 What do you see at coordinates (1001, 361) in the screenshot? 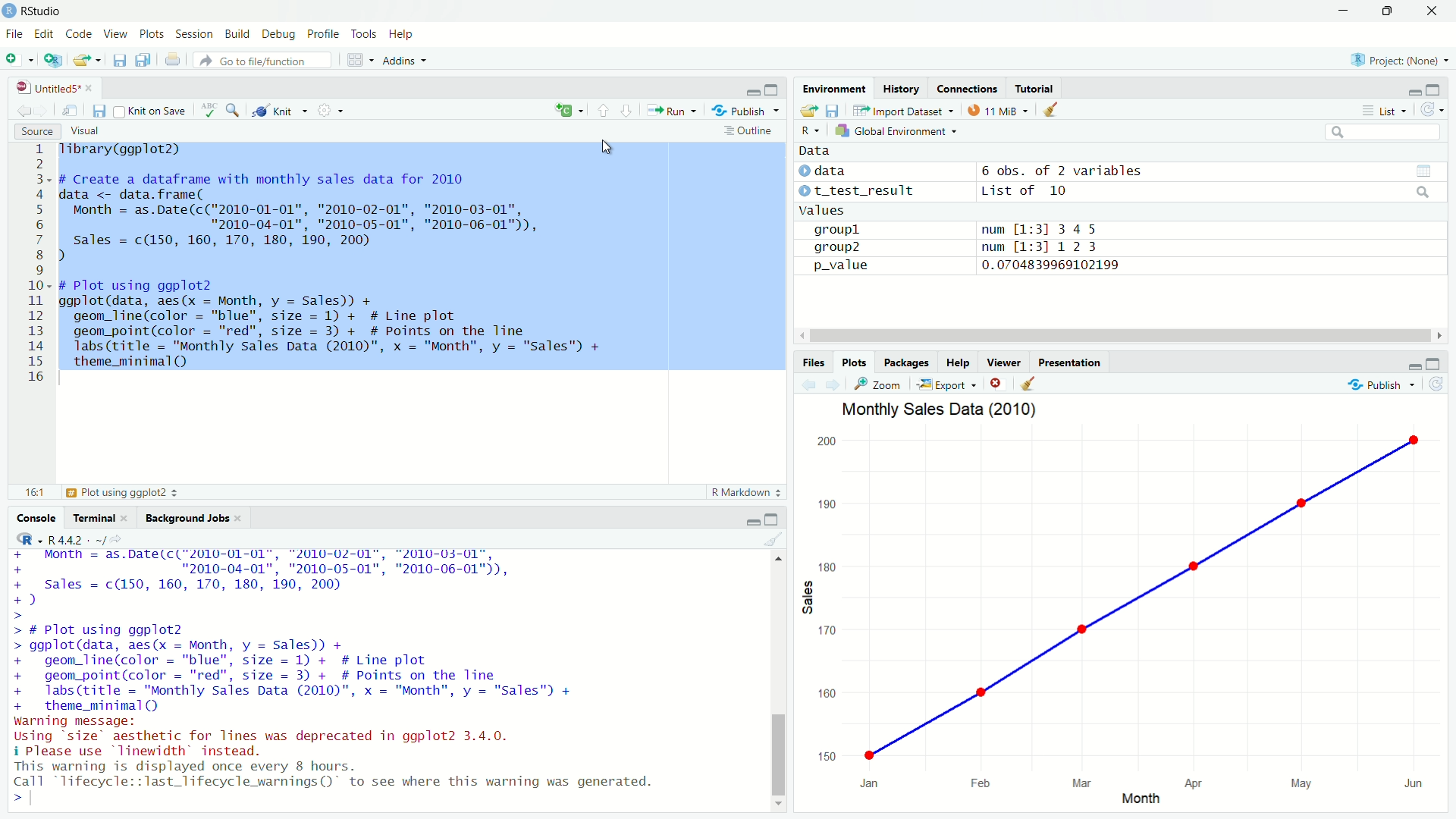
I see `Viewer` at bounding box center [1001, 361].